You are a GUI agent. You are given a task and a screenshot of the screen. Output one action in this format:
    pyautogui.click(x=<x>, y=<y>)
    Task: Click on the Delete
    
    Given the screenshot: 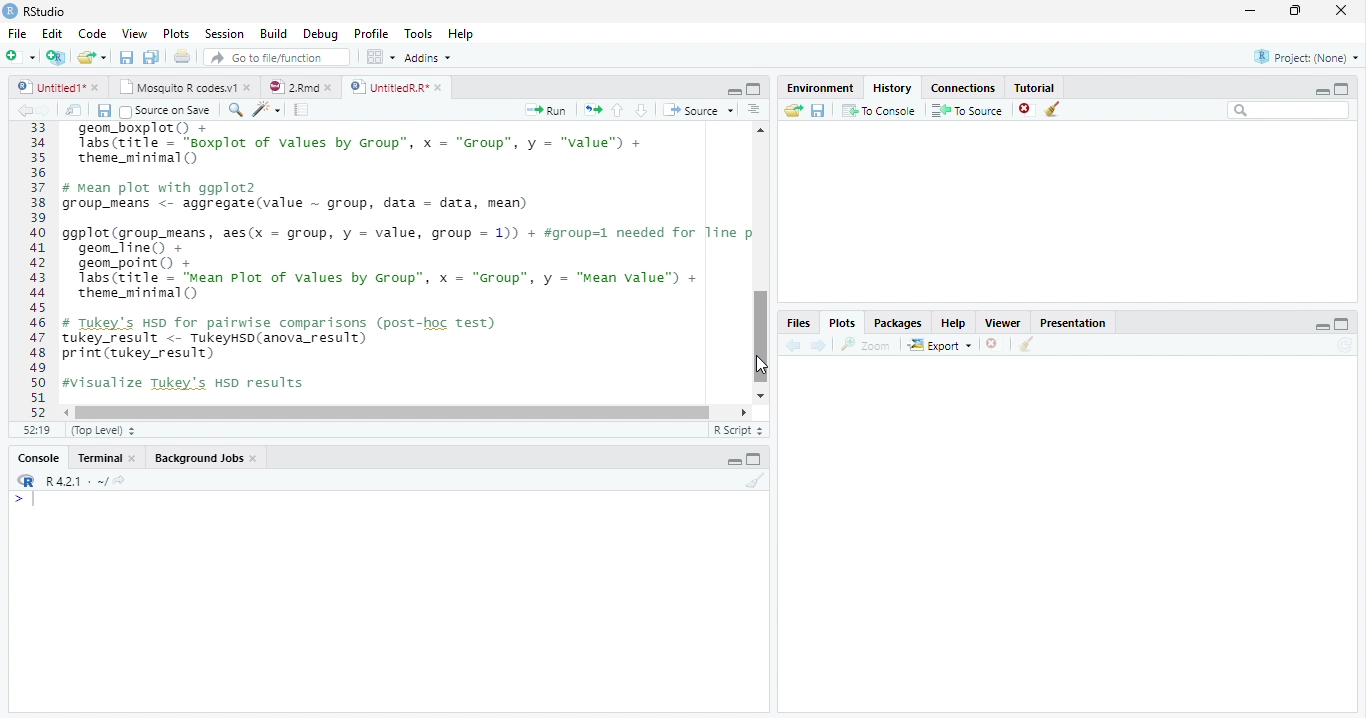 What is the action you would take?
    pyautogui.click(x=993, y=345)
    